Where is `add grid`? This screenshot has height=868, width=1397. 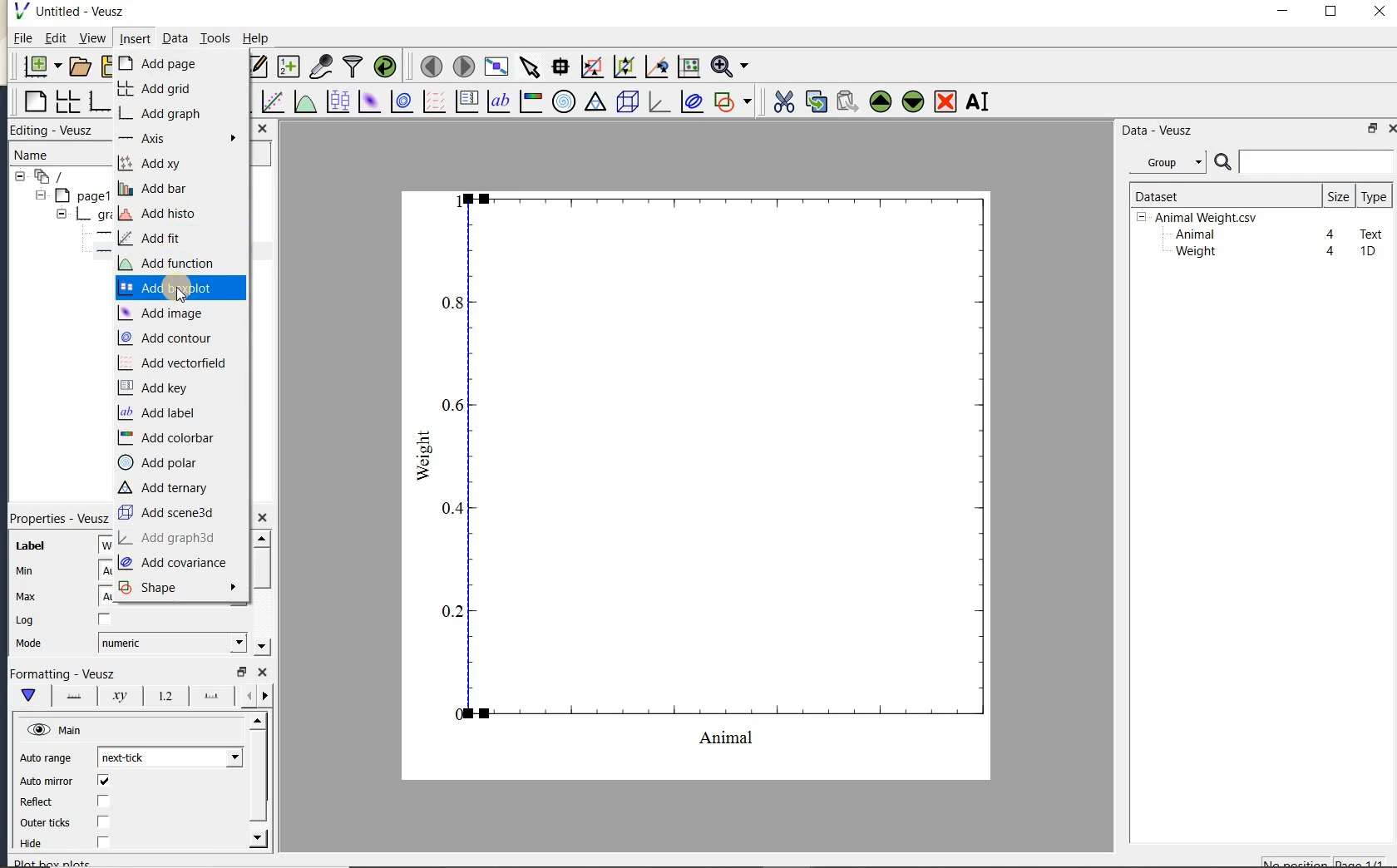 add grid is located at coordinates (158, 88).